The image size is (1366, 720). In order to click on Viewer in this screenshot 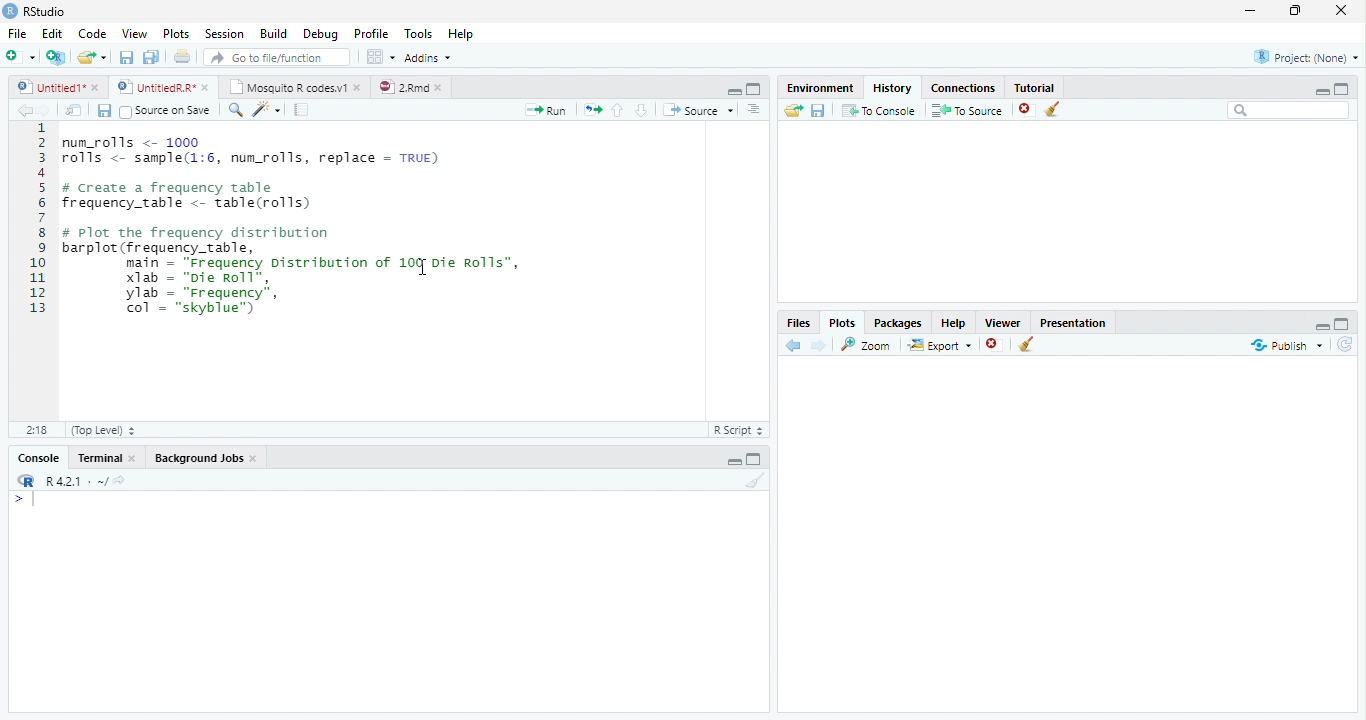, I will do `click(1002, 321)`.